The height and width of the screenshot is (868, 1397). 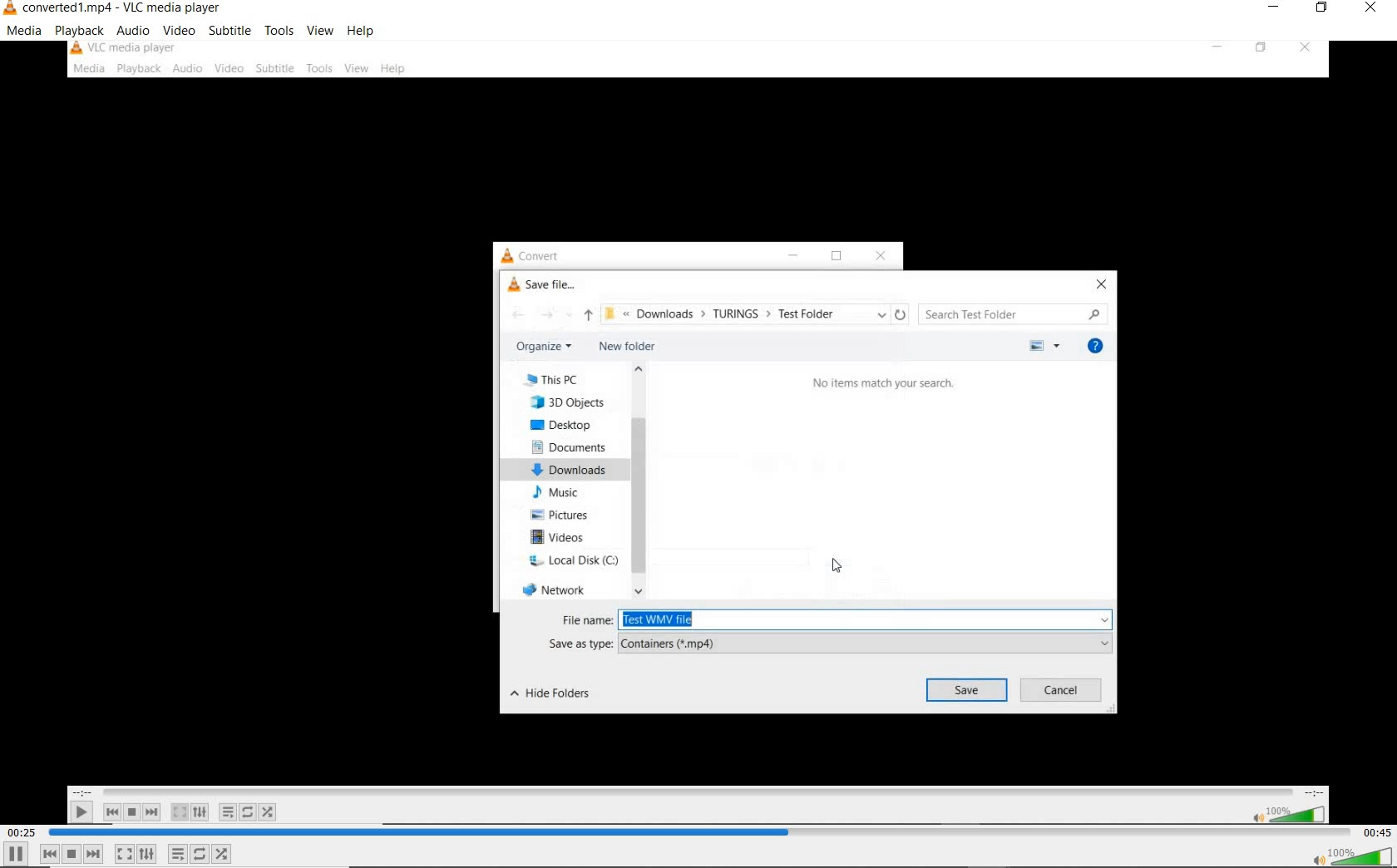 What do you see at coordinates (1370, 9) in the screenshot?
I see `close` at bounding box center [1370, 9].